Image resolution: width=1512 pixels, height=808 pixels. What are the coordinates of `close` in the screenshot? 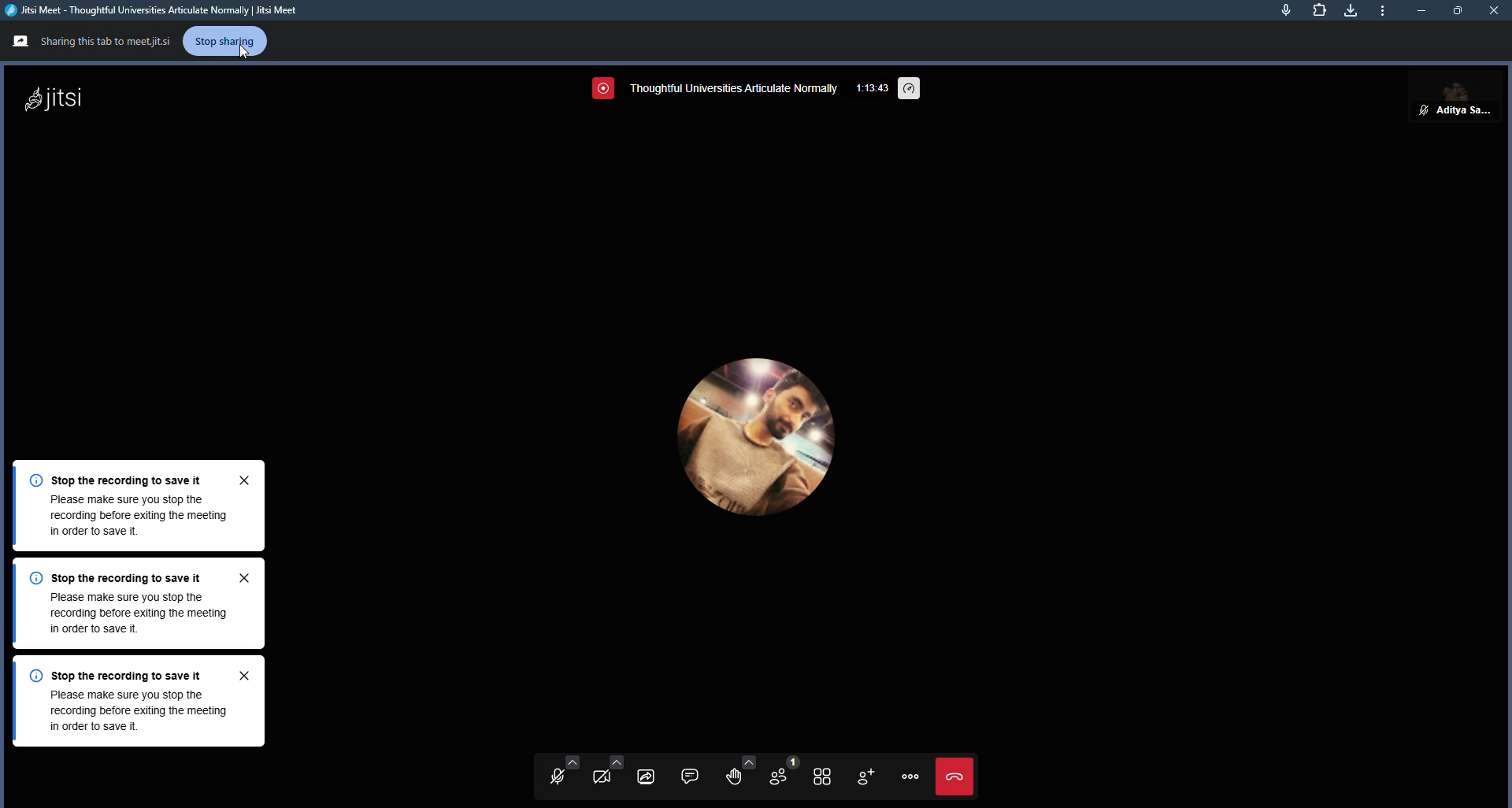 It's located at (246, 676).